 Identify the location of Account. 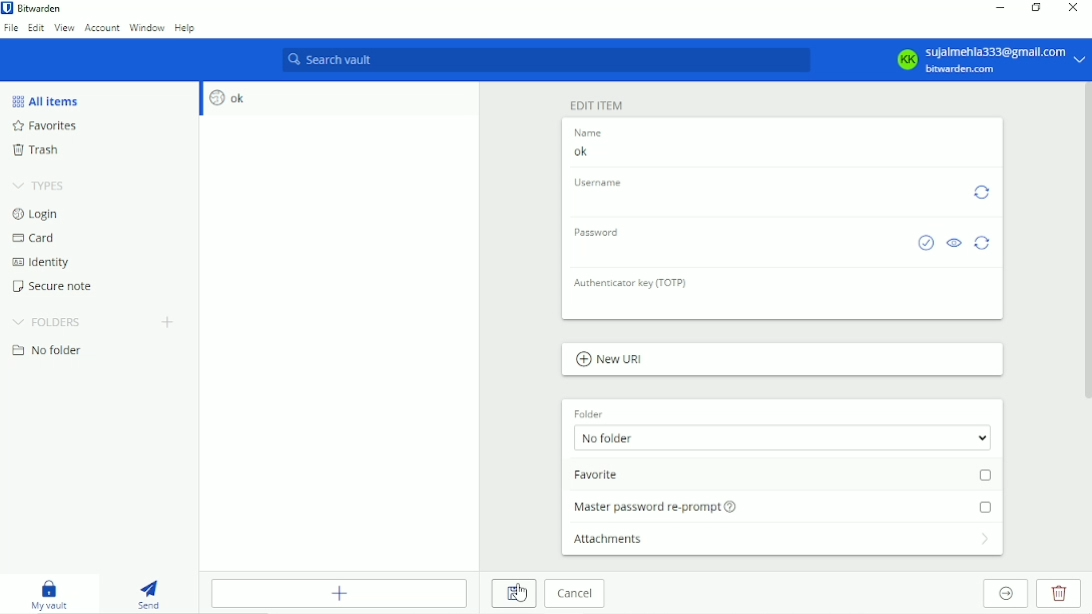
(102, 28).